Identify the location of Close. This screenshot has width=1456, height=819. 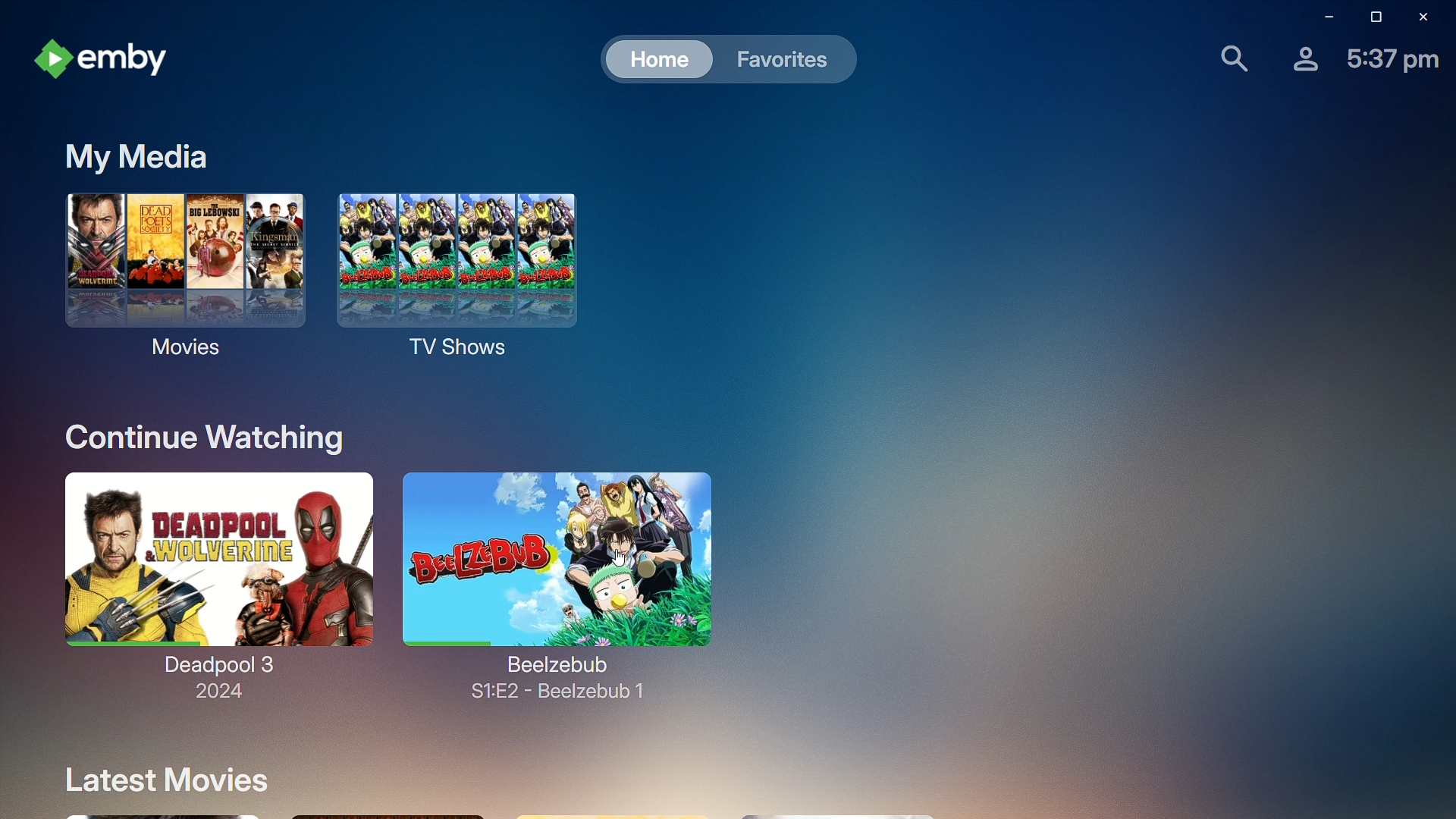
(1429, 17).